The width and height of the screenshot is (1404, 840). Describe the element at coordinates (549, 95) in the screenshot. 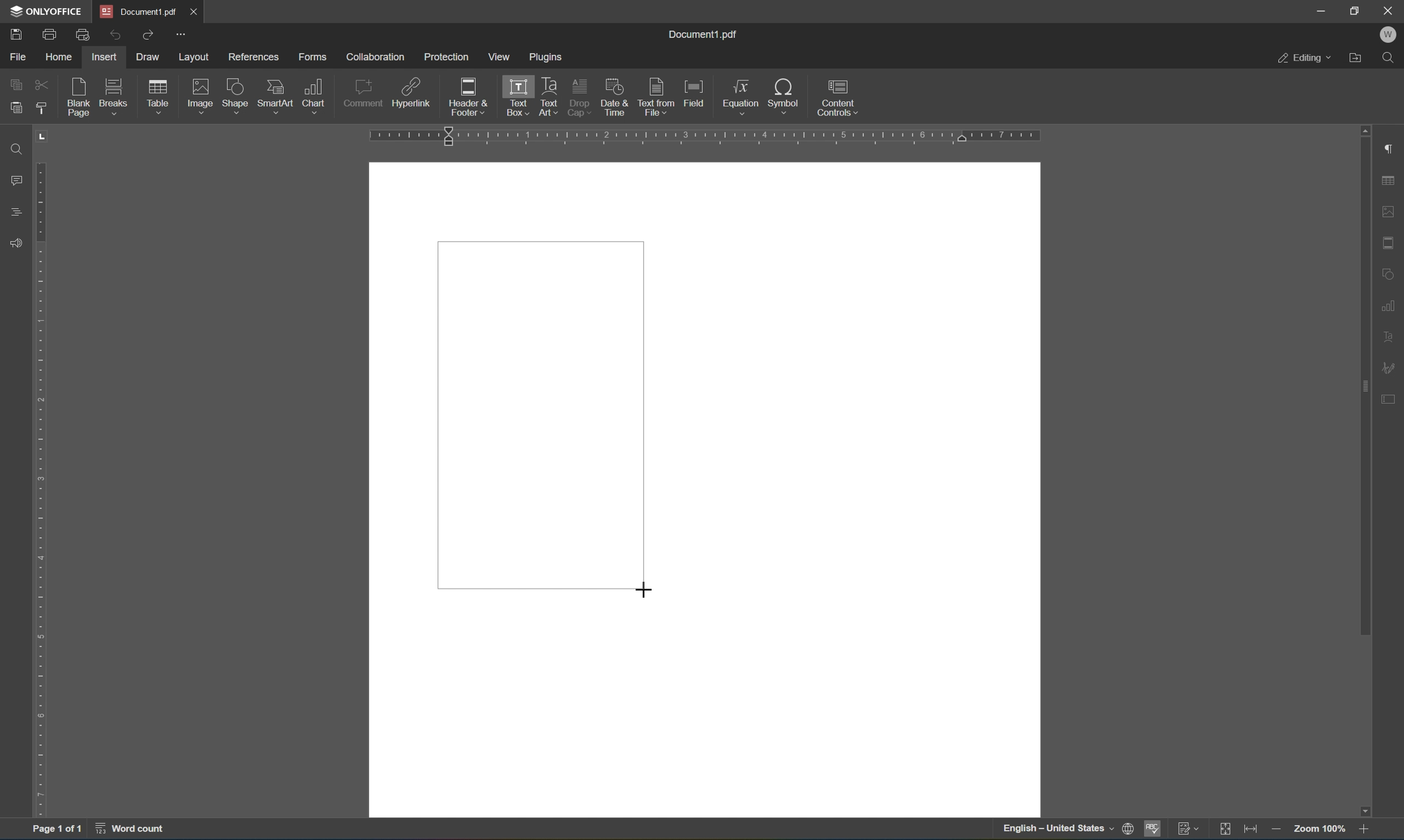

I see `text art` at that location.